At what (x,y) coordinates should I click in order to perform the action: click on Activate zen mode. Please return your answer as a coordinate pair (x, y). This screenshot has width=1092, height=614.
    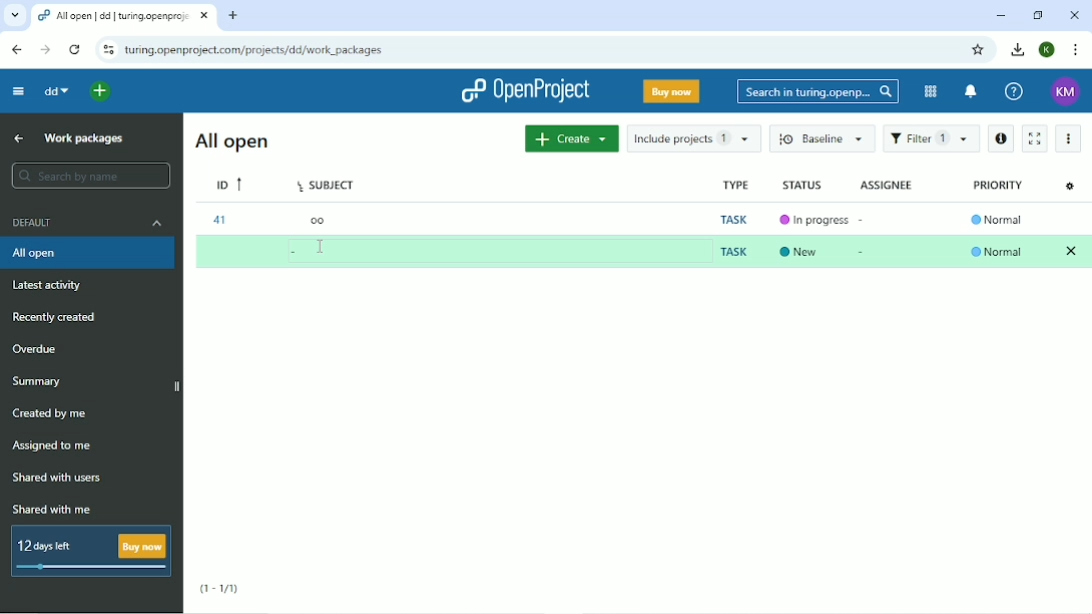
    Looking at the image, I should click on (1036, 139).